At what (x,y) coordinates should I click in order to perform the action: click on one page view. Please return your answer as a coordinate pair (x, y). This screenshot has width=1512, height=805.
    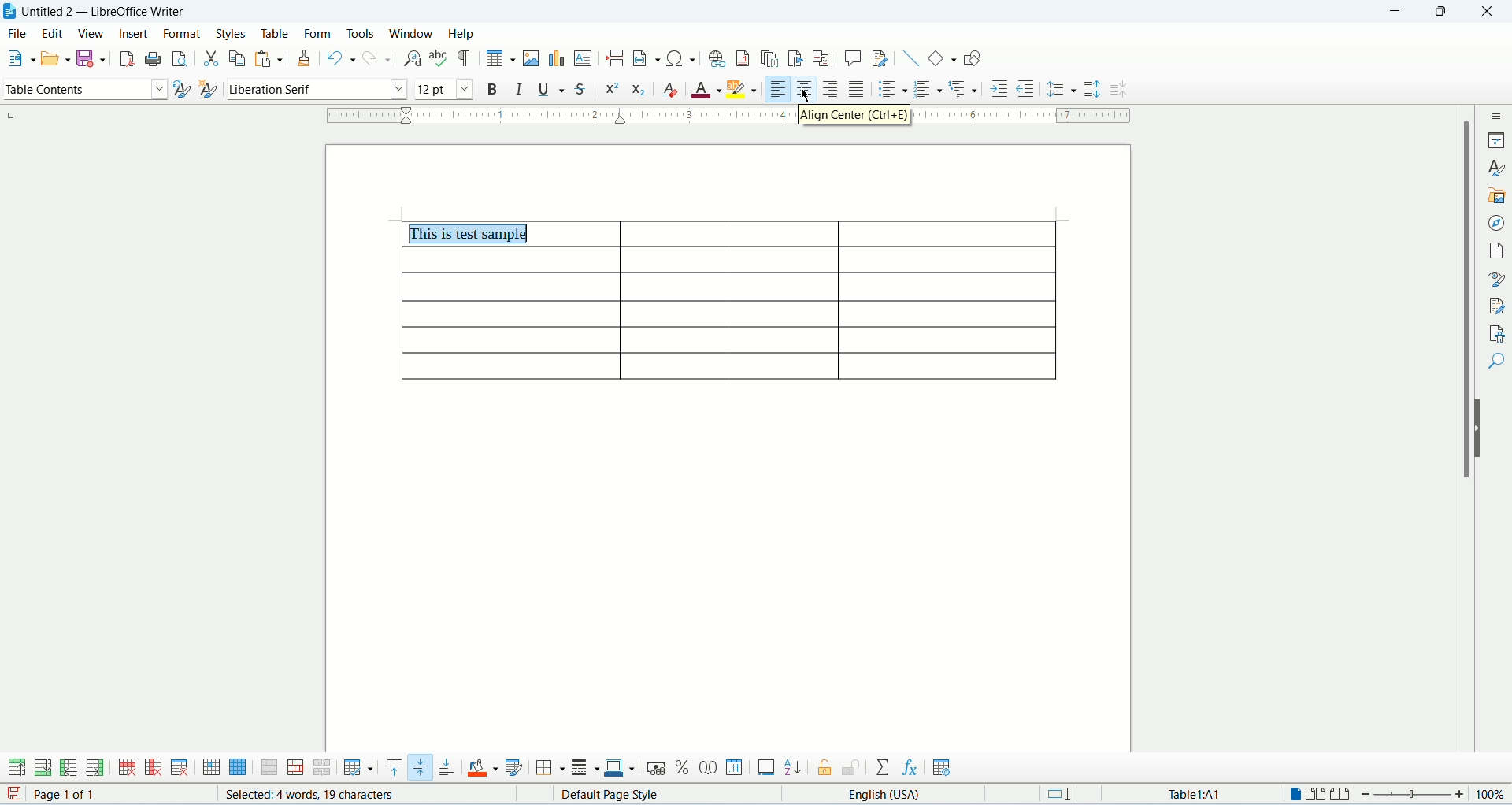
    Looking at the image, I should click on (1293, 794).